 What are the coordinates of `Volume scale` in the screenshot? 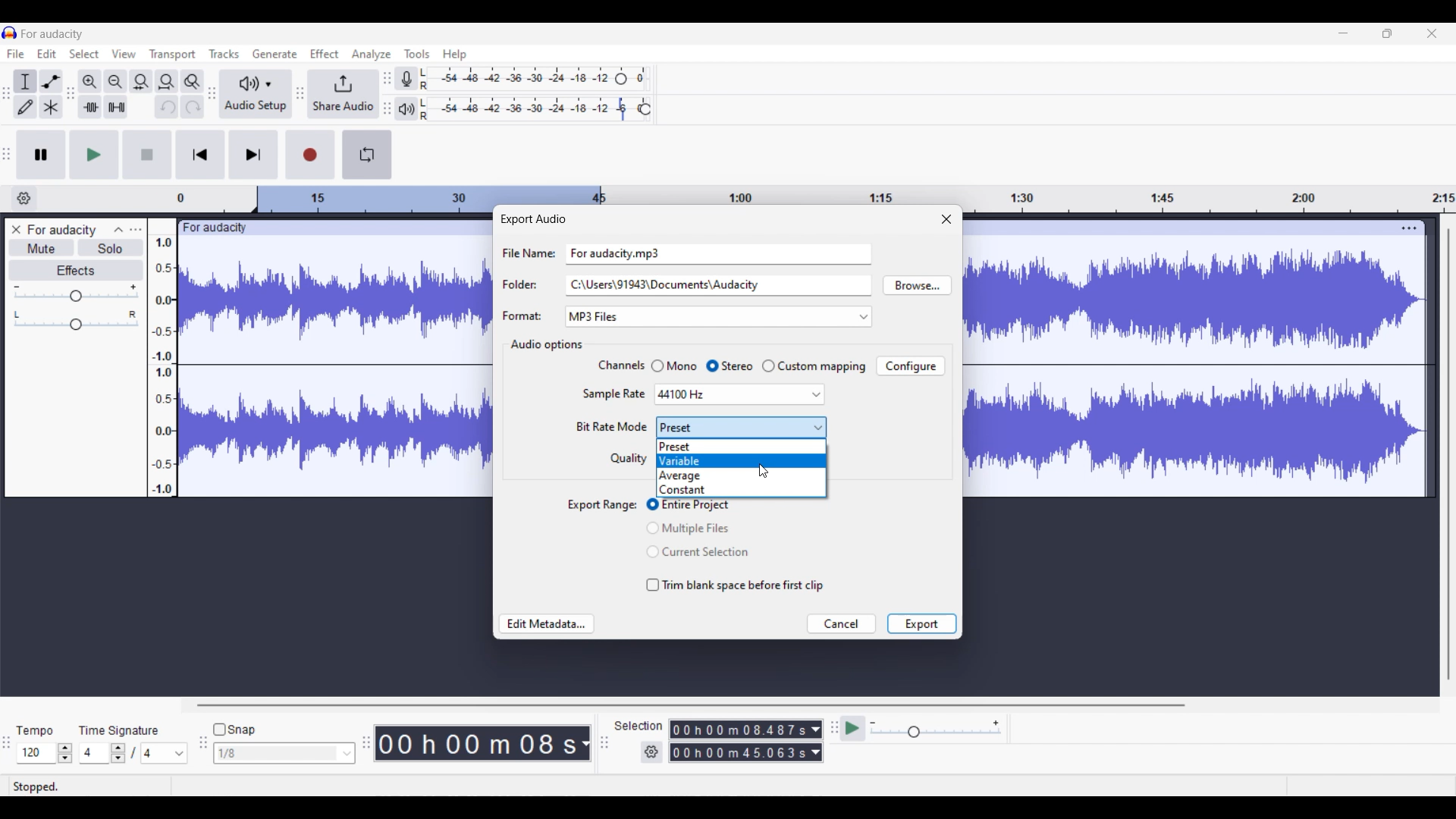 It's located at (76, 293).